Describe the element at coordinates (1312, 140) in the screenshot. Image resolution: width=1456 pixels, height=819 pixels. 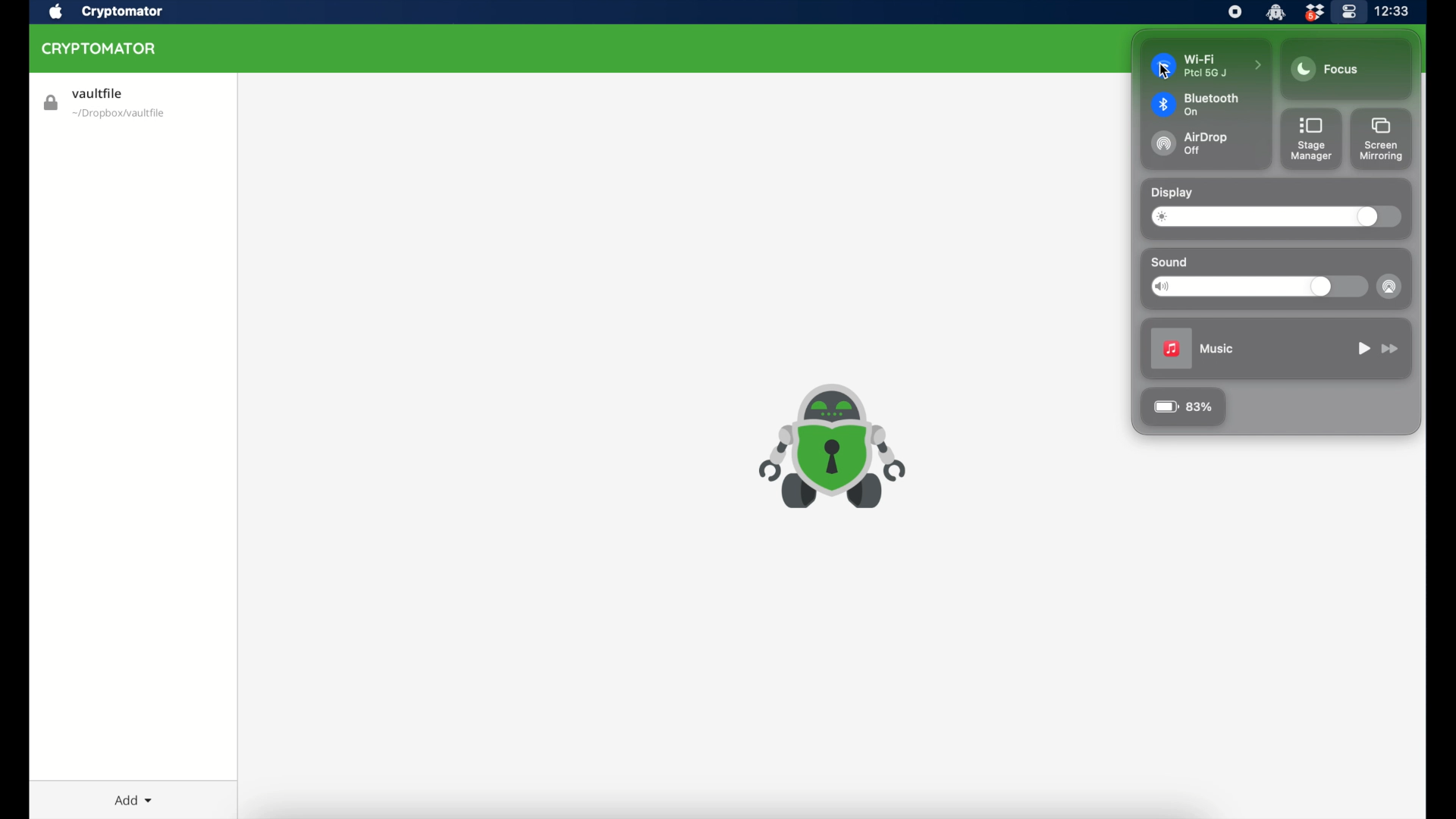
I see `stage manager` at that location.